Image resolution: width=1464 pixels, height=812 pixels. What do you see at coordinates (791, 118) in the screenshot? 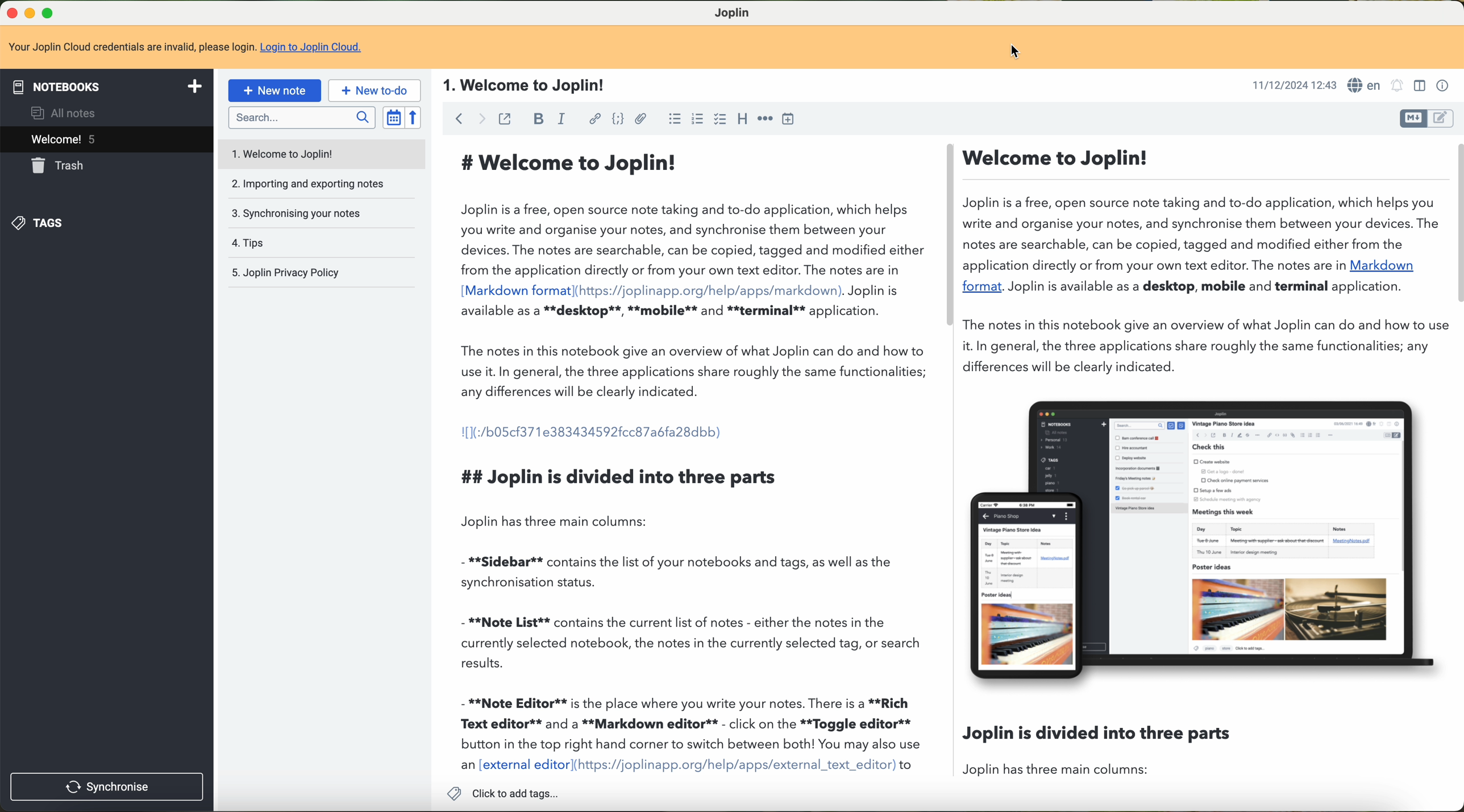
I see `insert time` at bounding box center [791, 118].